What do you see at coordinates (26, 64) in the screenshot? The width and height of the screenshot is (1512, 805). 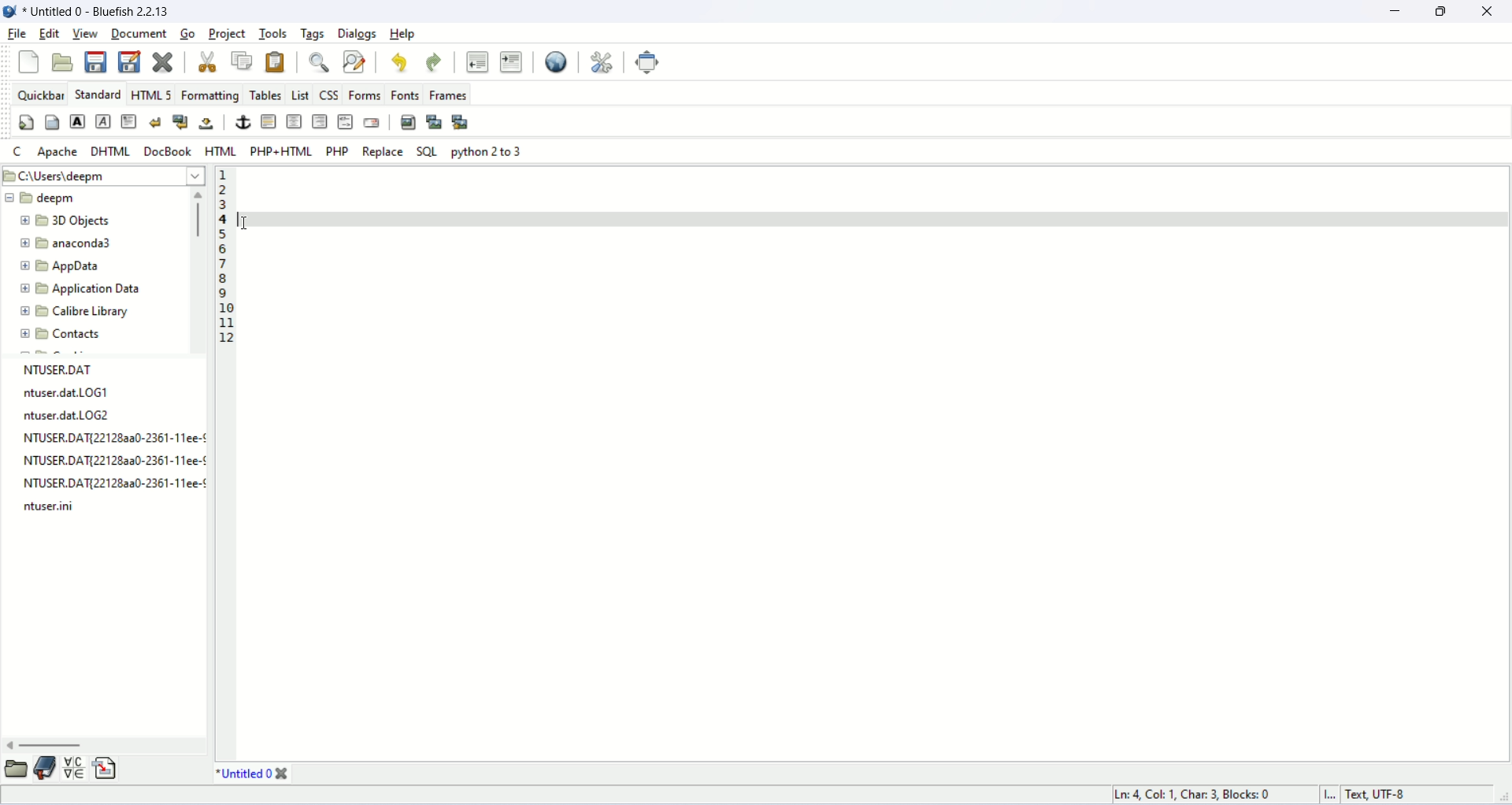 I see `new file` at bounding box center [26, 64].